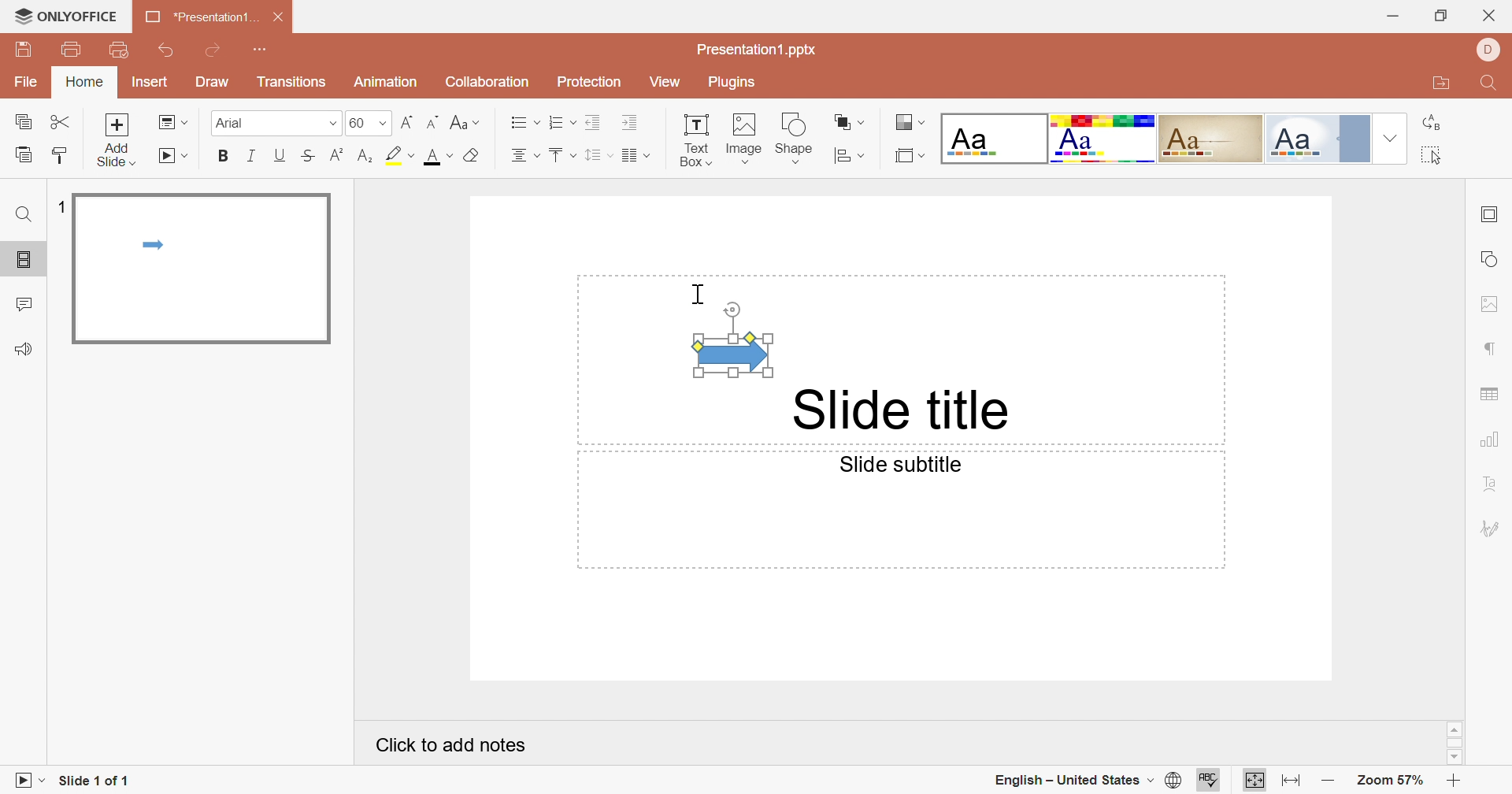 The height and width of the screenshot is (794, 1512). What do you see at coordinates (202, 17) in the screenshot?
I see `Presentation1...` at bounding box center [202, 17].